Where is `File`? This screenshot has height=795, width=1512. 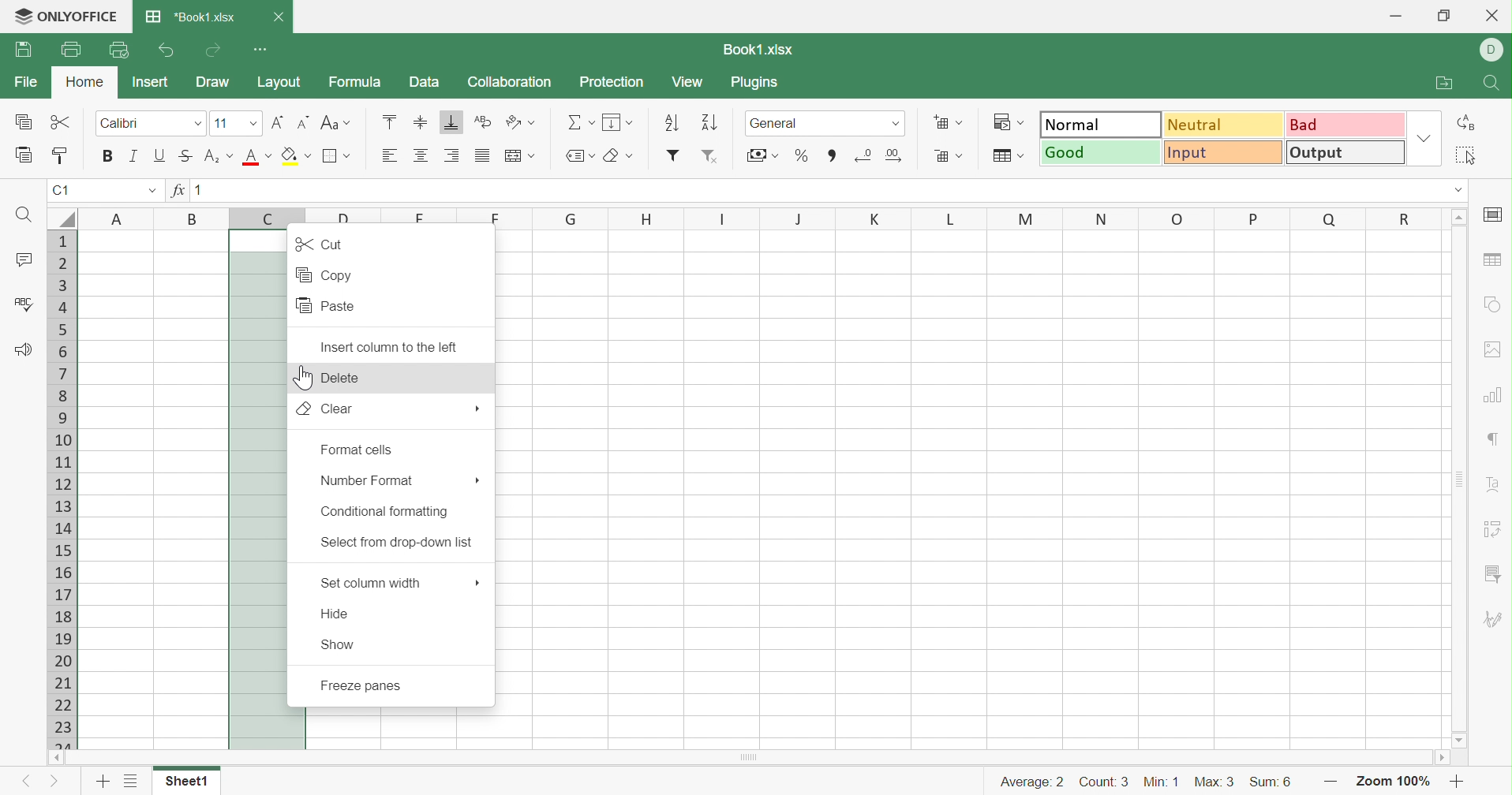
File is located at coordinates (27, 80).